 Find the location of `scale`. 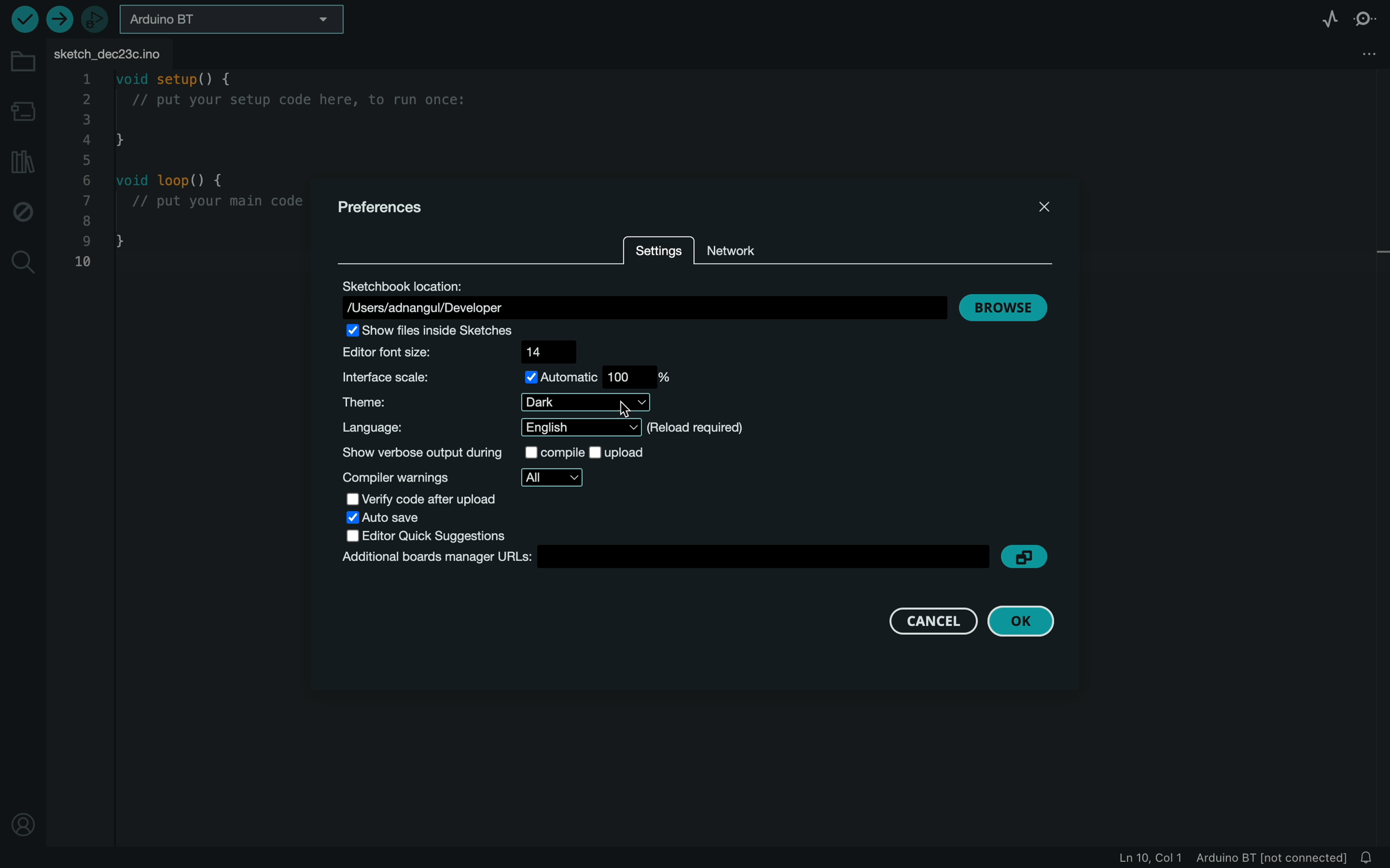

scale is located at coordinates (513, 377).